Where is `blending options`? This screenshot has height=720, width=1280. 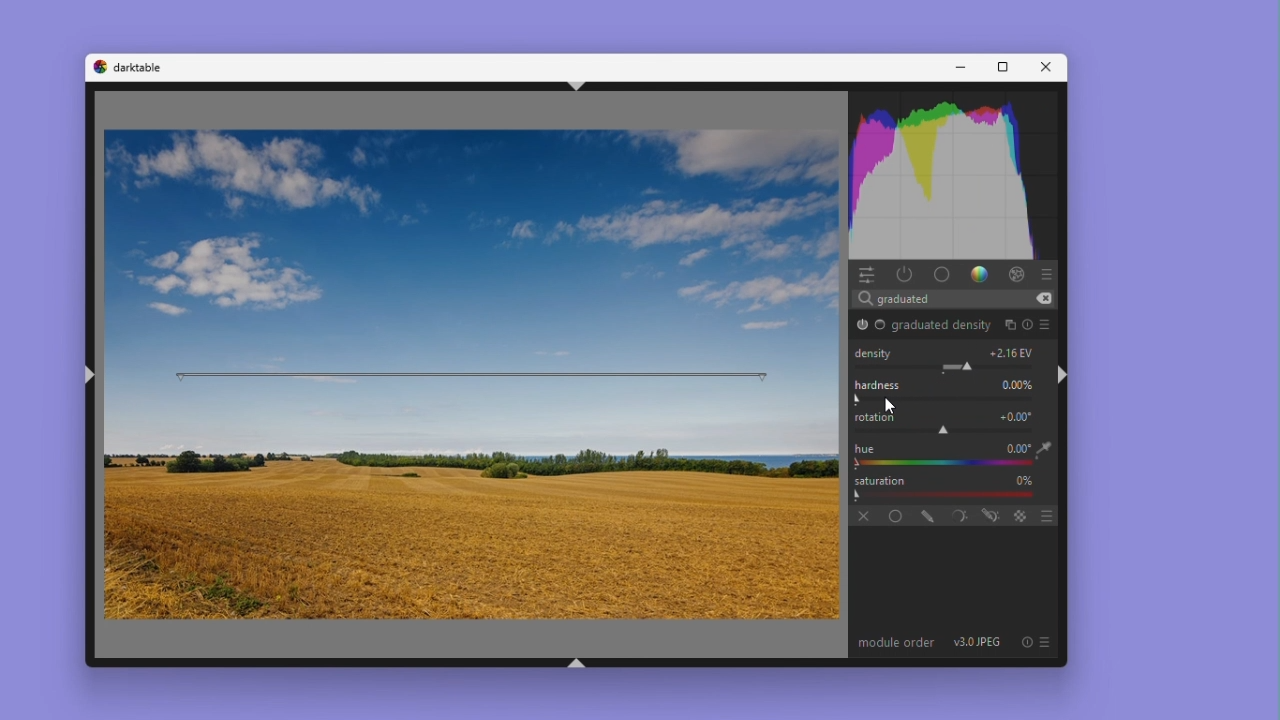
blending options is located at coordinates (1046, 515).